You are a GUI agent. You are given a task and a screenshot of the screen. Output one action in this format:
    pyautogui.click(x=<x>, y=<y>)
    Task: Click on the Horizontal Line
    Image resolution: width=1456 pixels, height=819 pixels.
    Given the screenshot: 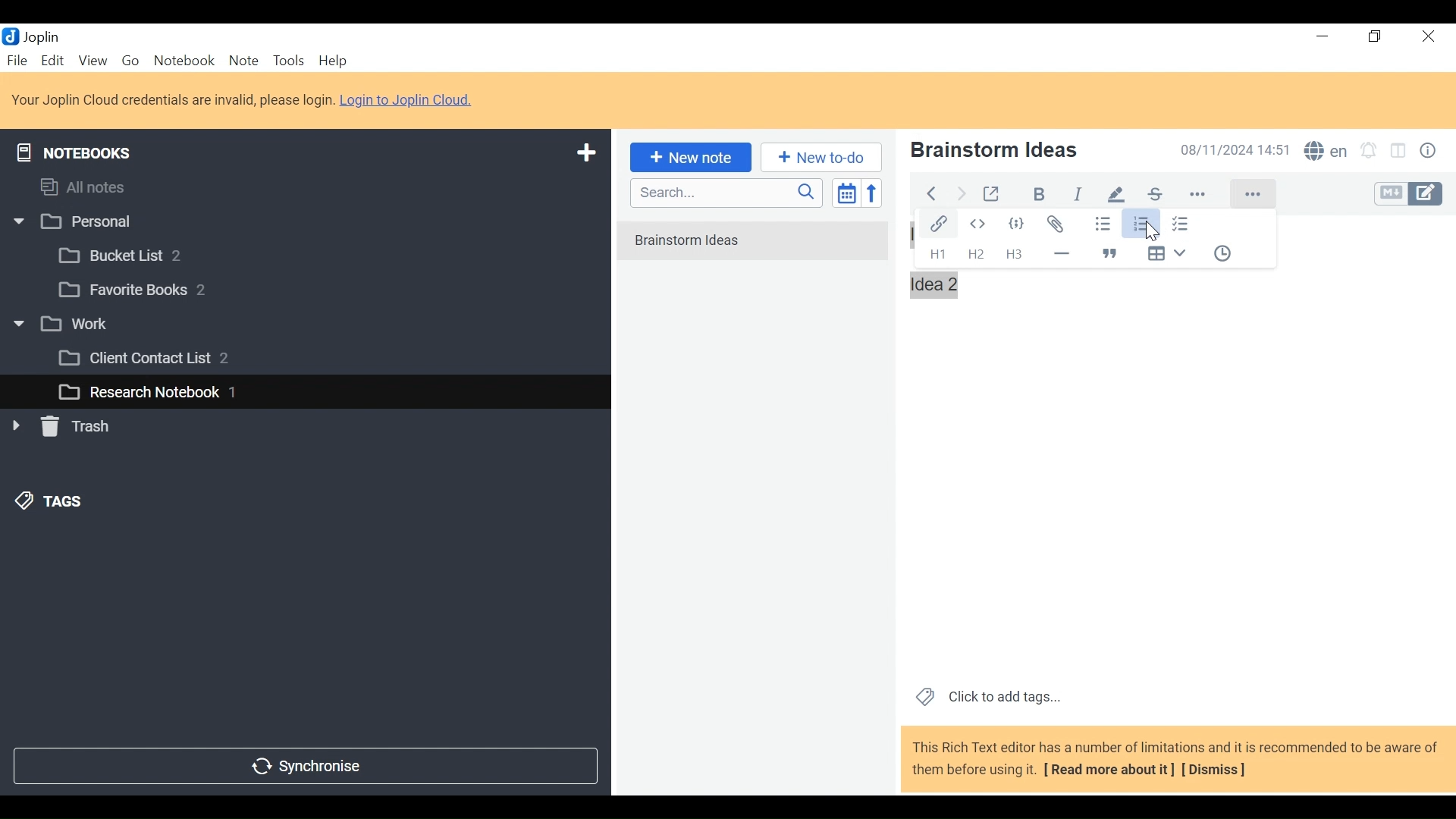 What is the action you would take?
    pyautogui.click(x=1062, y=253)
    